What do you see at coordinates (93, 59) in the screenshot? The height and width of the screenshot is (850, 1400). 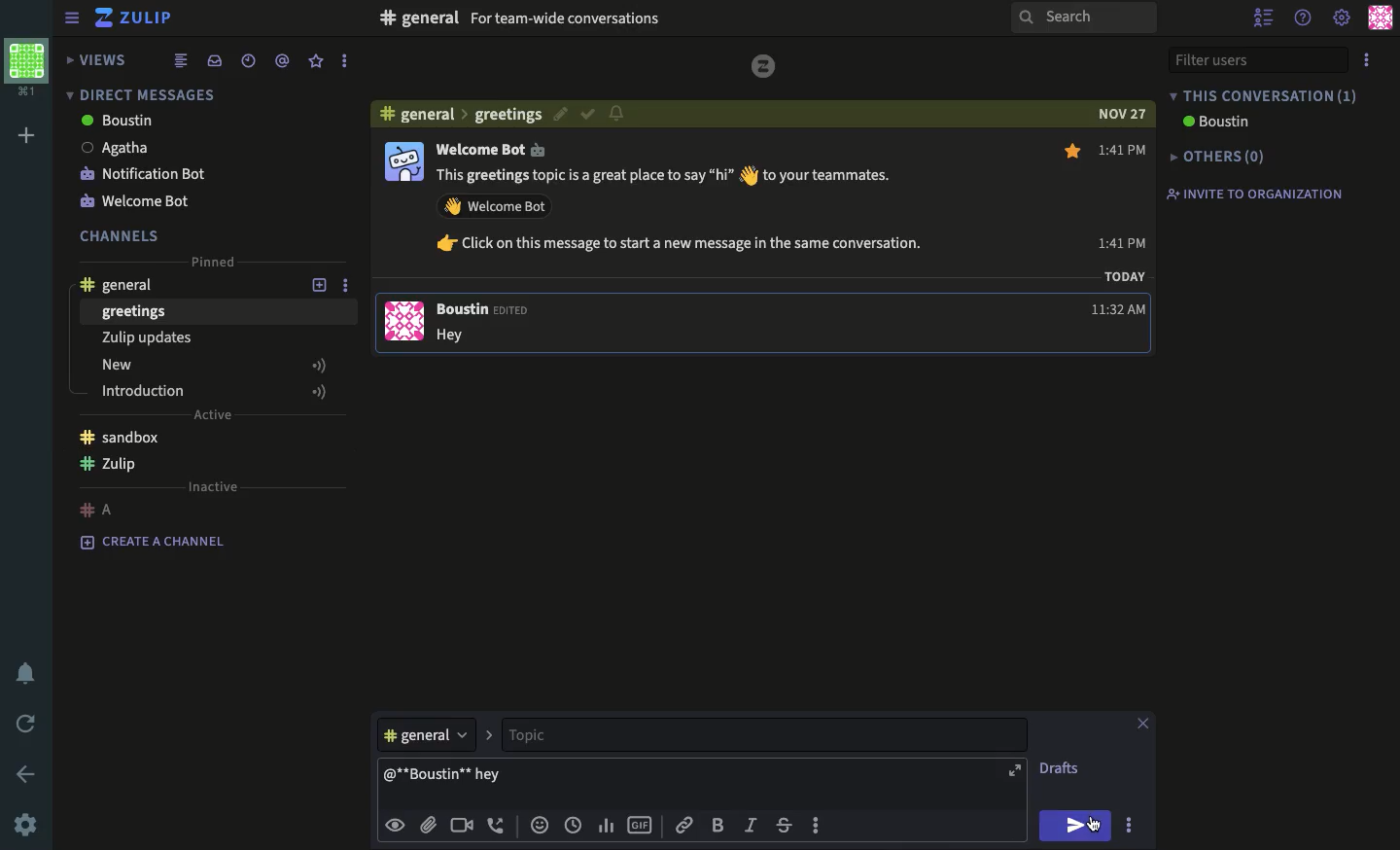 I see `views` at bounding box center [93, 59].